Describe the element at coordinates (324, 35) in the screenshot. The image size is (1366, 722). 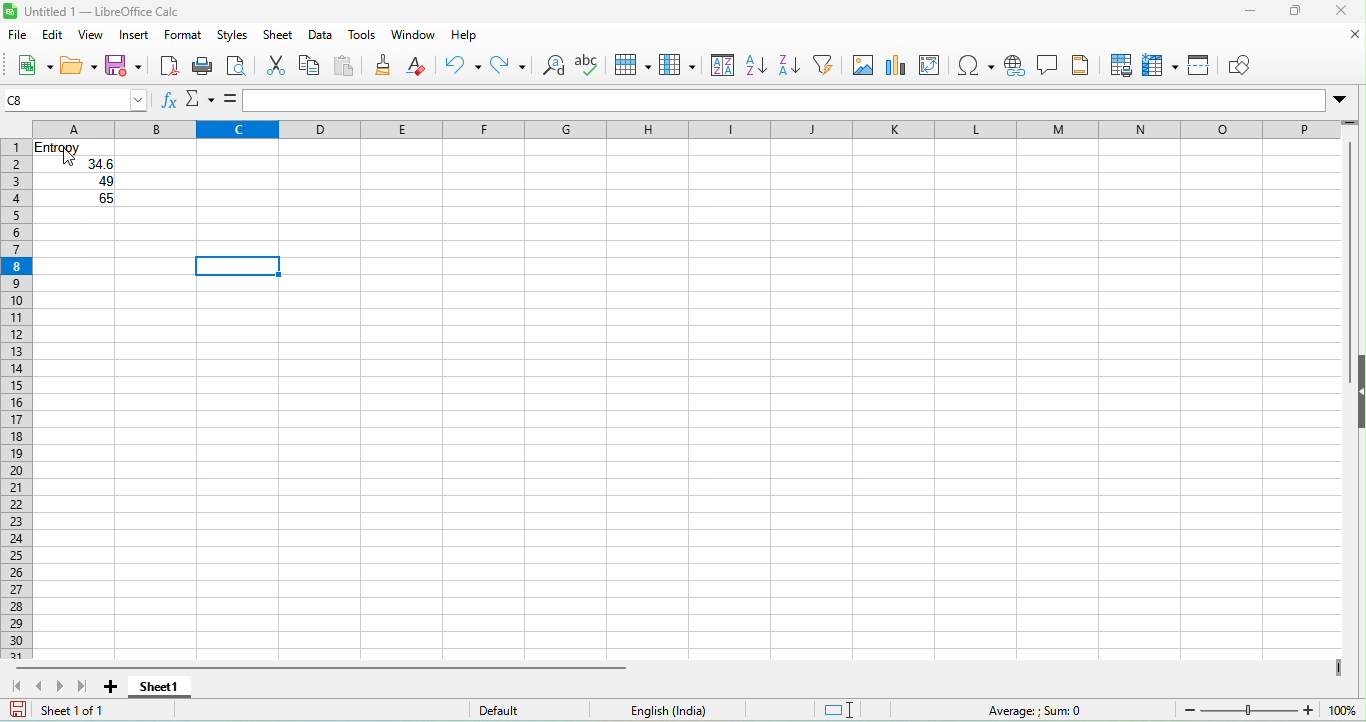
I see `date` at that location.